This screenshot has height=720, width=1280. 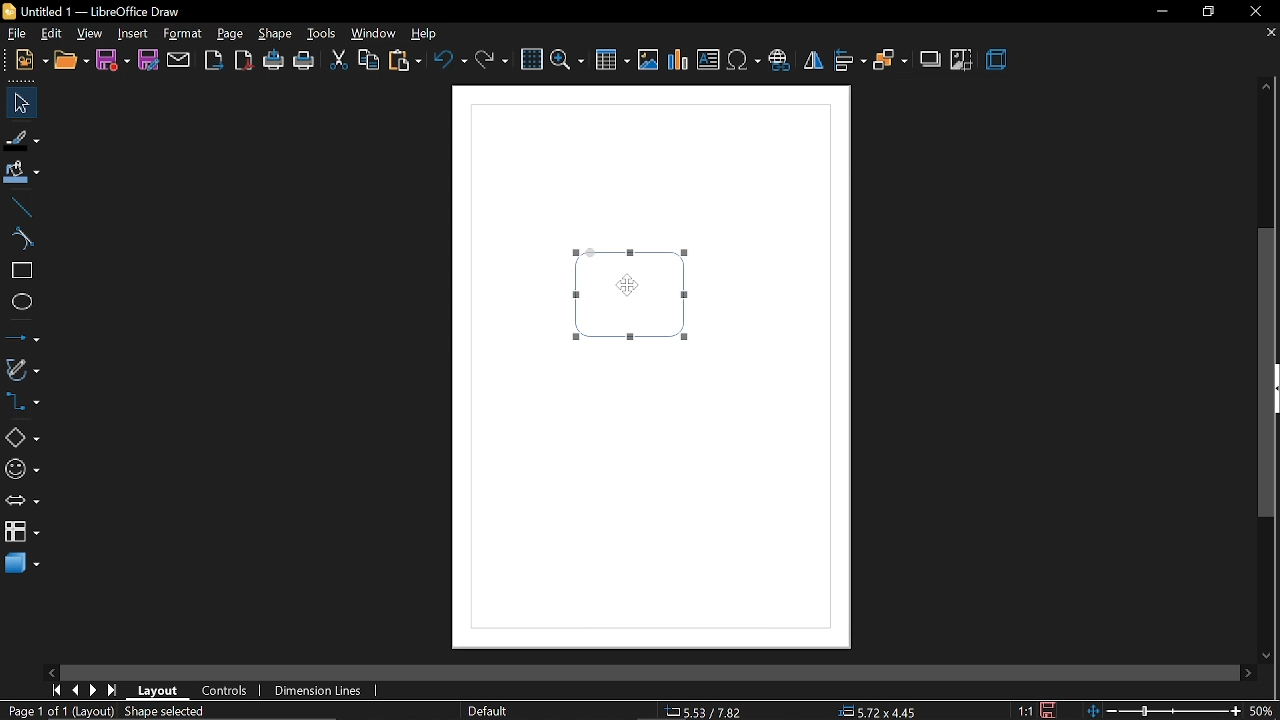 What do you see at coordinates (230, 34) in the screenshot?
I see `page` at bounding box center [230, 34].